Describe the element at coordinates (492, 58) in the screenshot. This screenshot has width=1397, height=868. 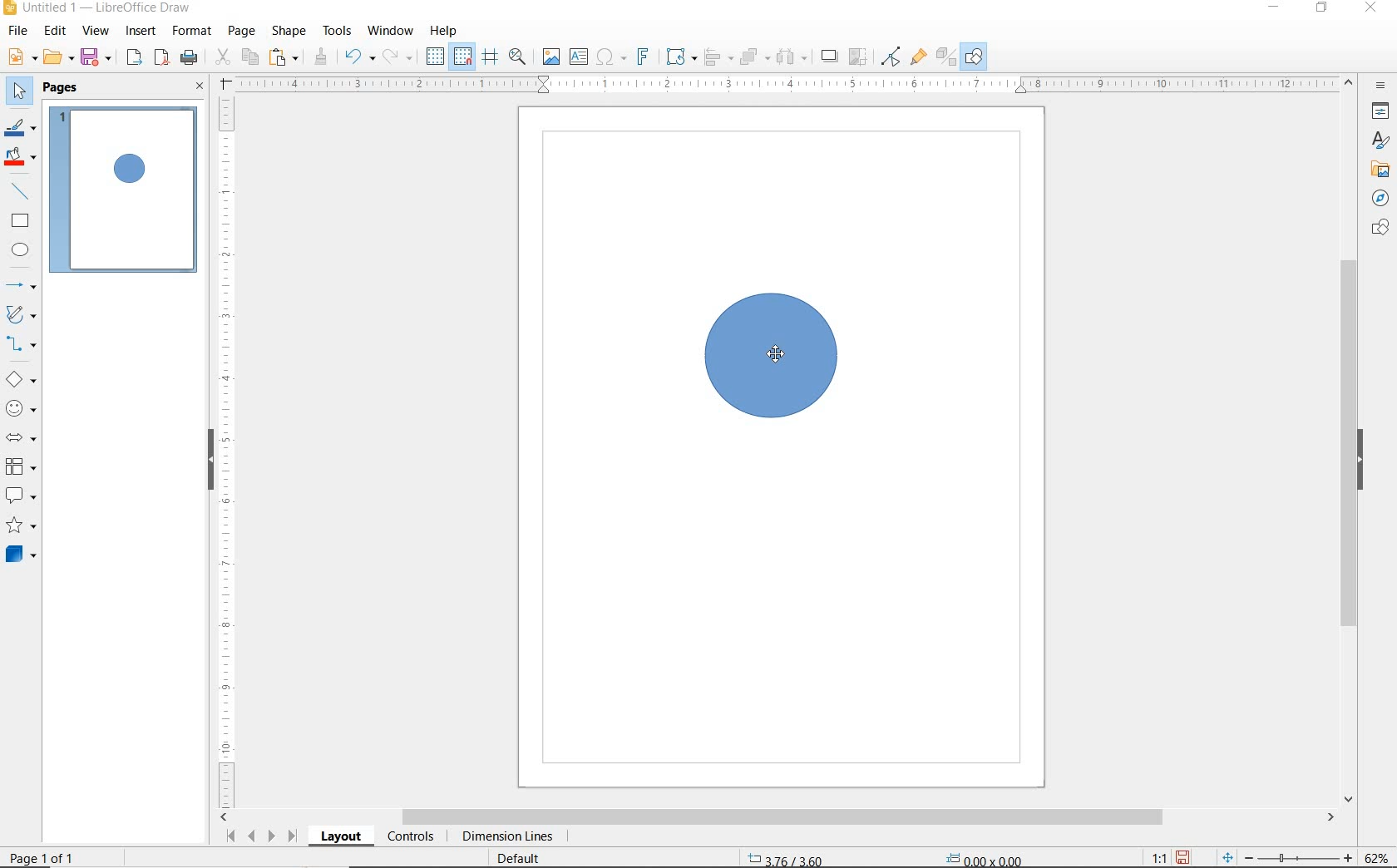
I see `` at that location.